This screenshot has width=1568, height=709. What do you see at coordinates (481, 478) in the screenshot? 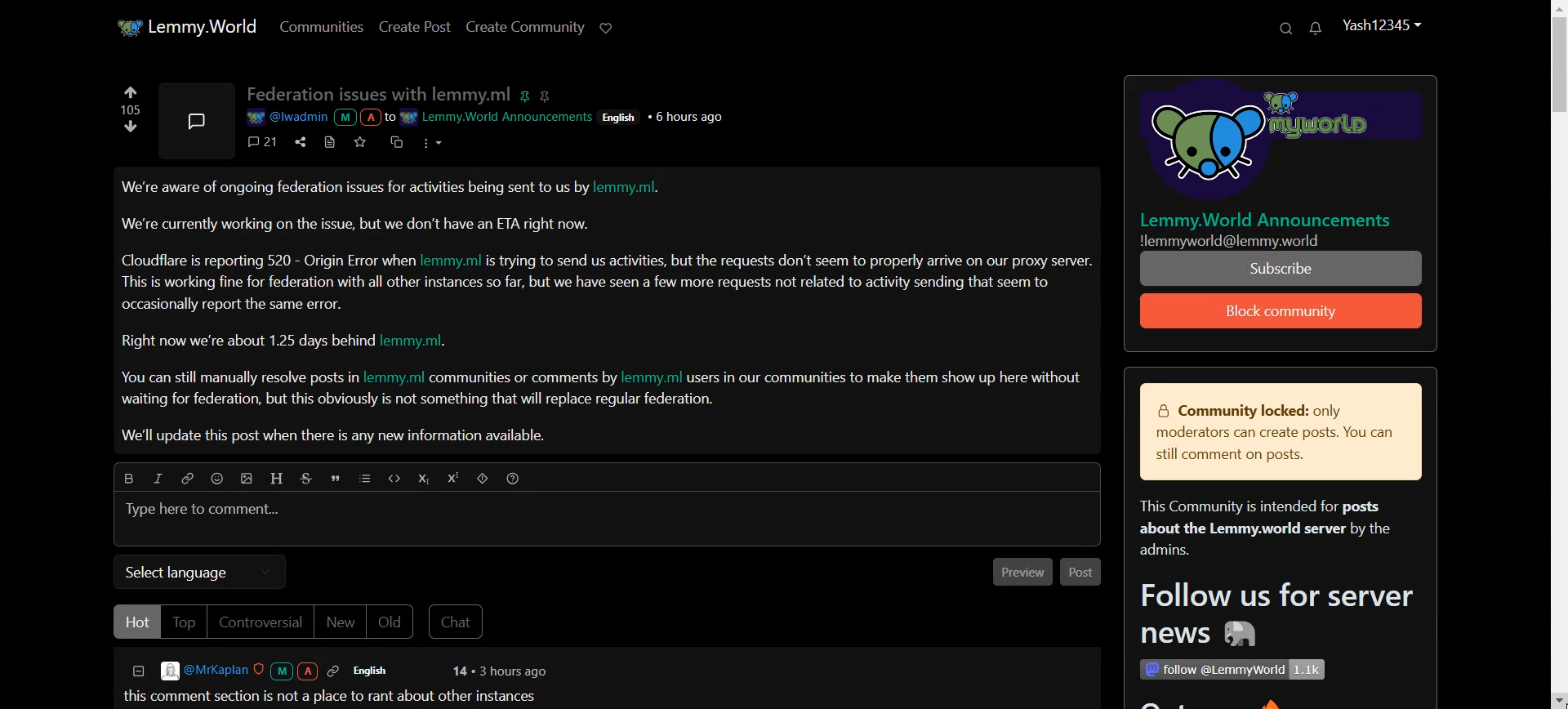
I see `Spoiler` at bounding box center [481, 478].